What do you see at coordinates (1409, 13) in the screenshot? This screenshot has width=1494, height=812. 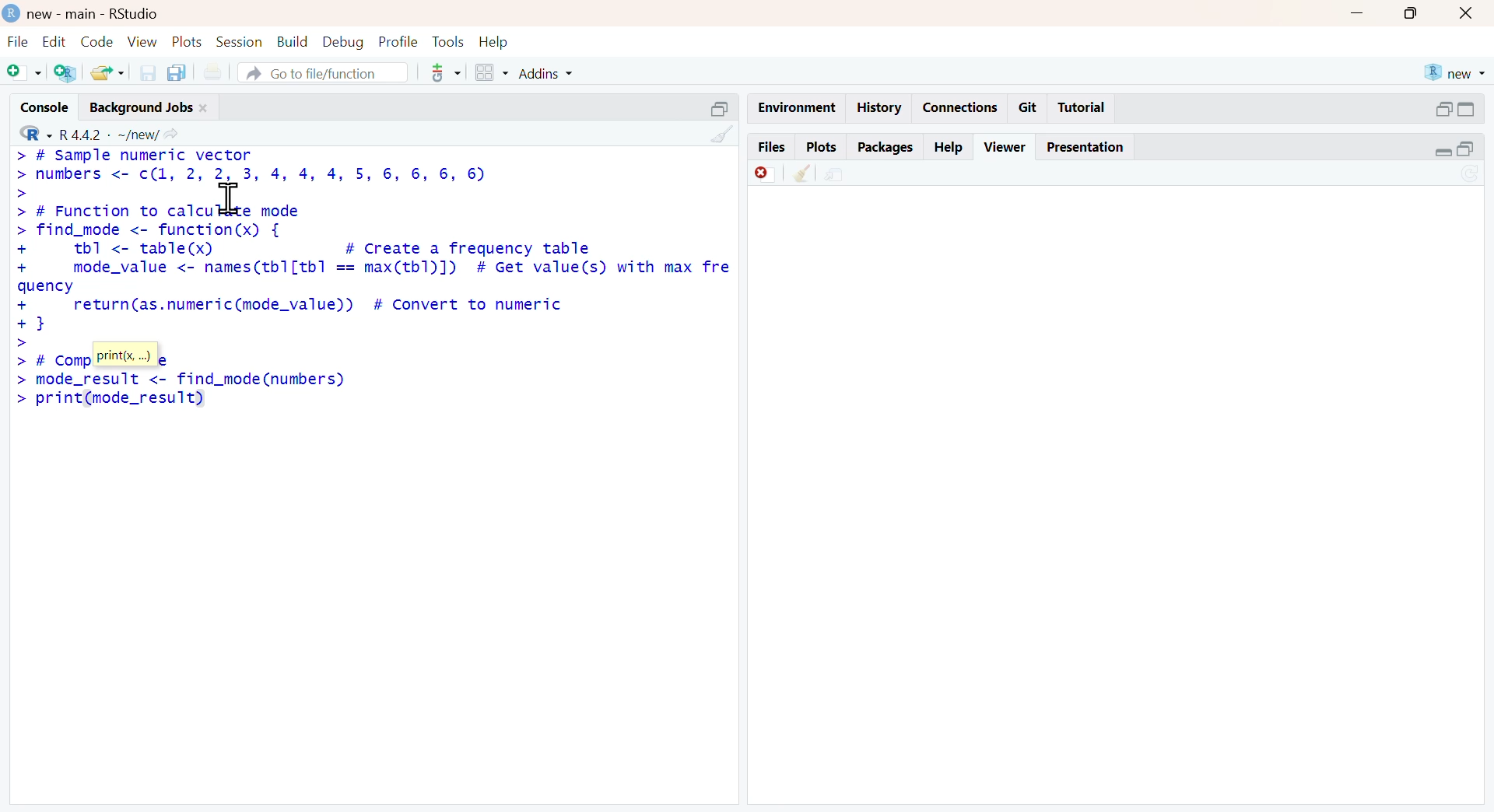 I see `maximise` at bounding box center [1409, 13].